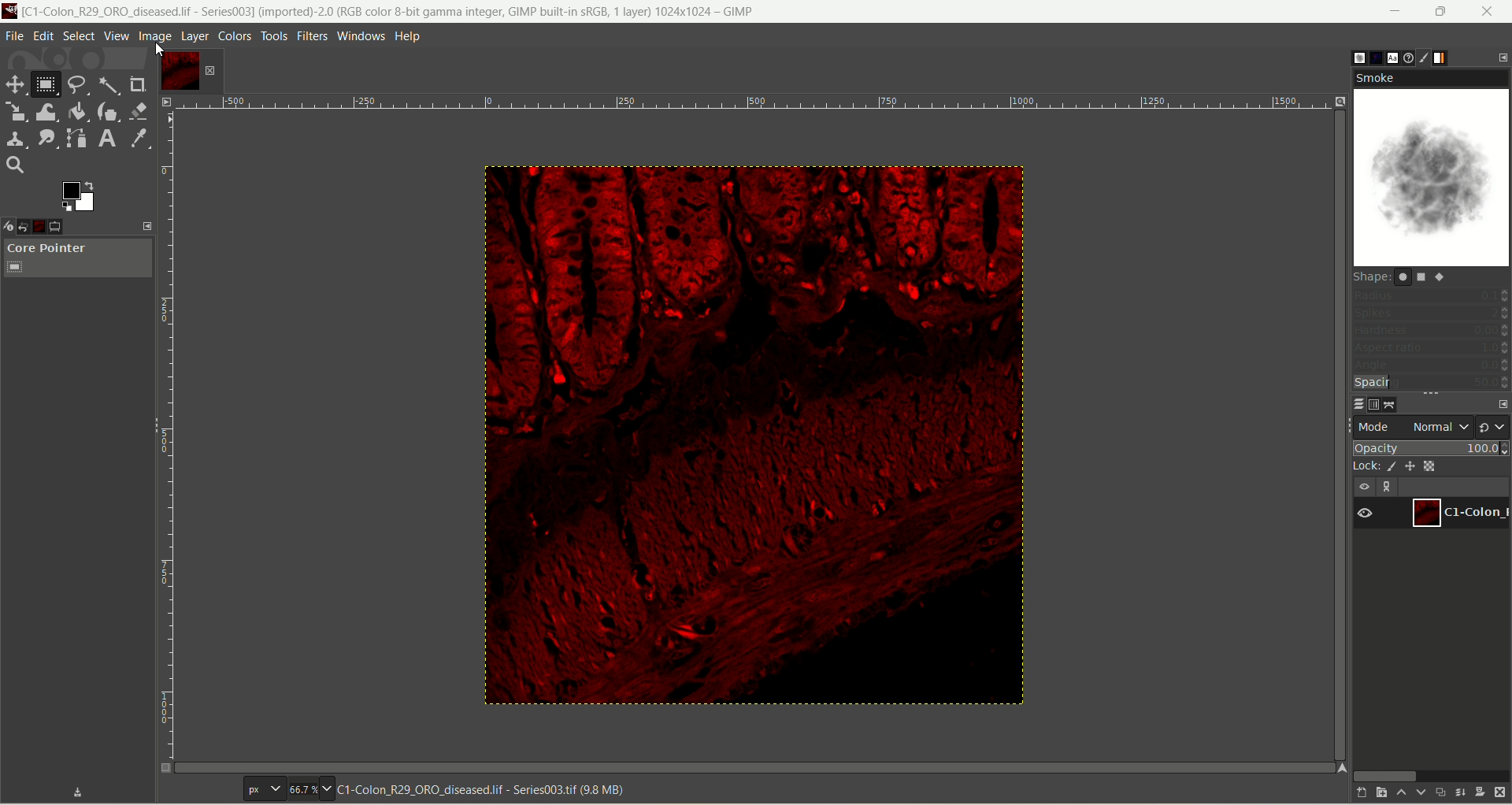  What do you see at coordinates (1503, 405) in the screenshot?
I see `configure this tab` at bounding box center [1503, 405].